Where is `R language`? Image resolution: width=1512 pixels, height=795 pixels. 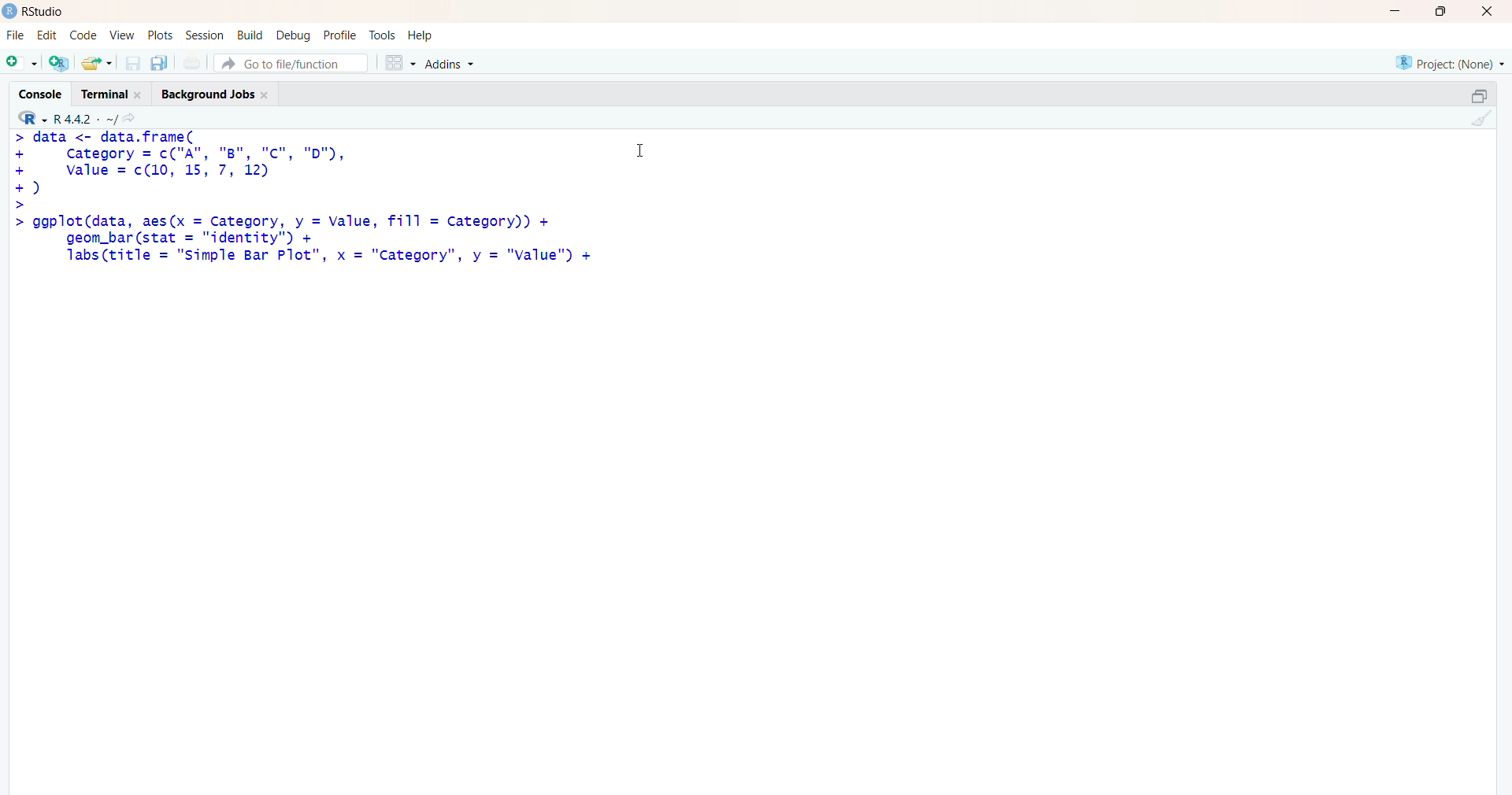
R language is located at coordinates (34, 118).